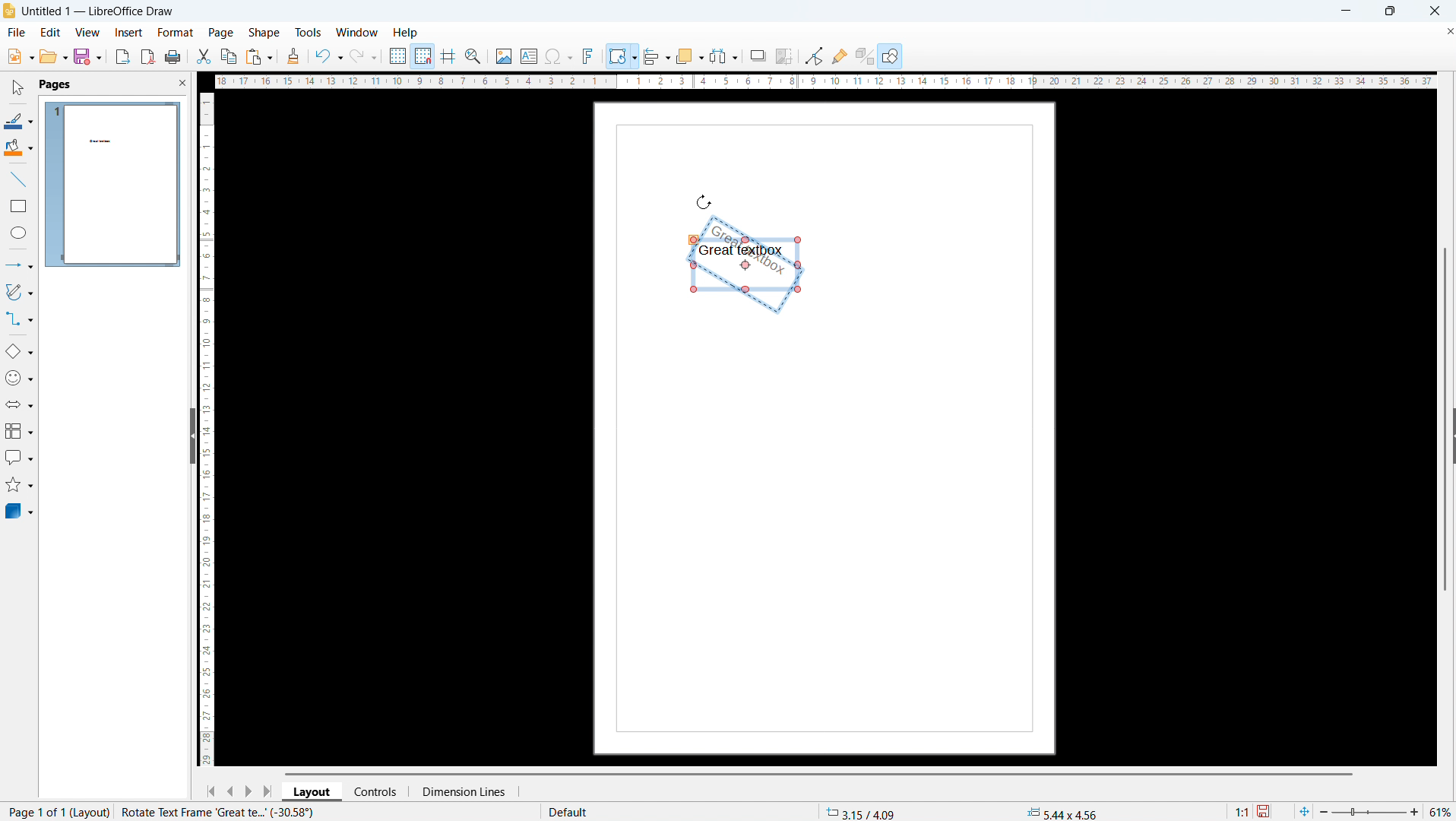 The height and width of the screenshot is (821, 1456). Describe the element at coordinates (1304, 811) in the screenshot. I see `fit to page ` at that location.